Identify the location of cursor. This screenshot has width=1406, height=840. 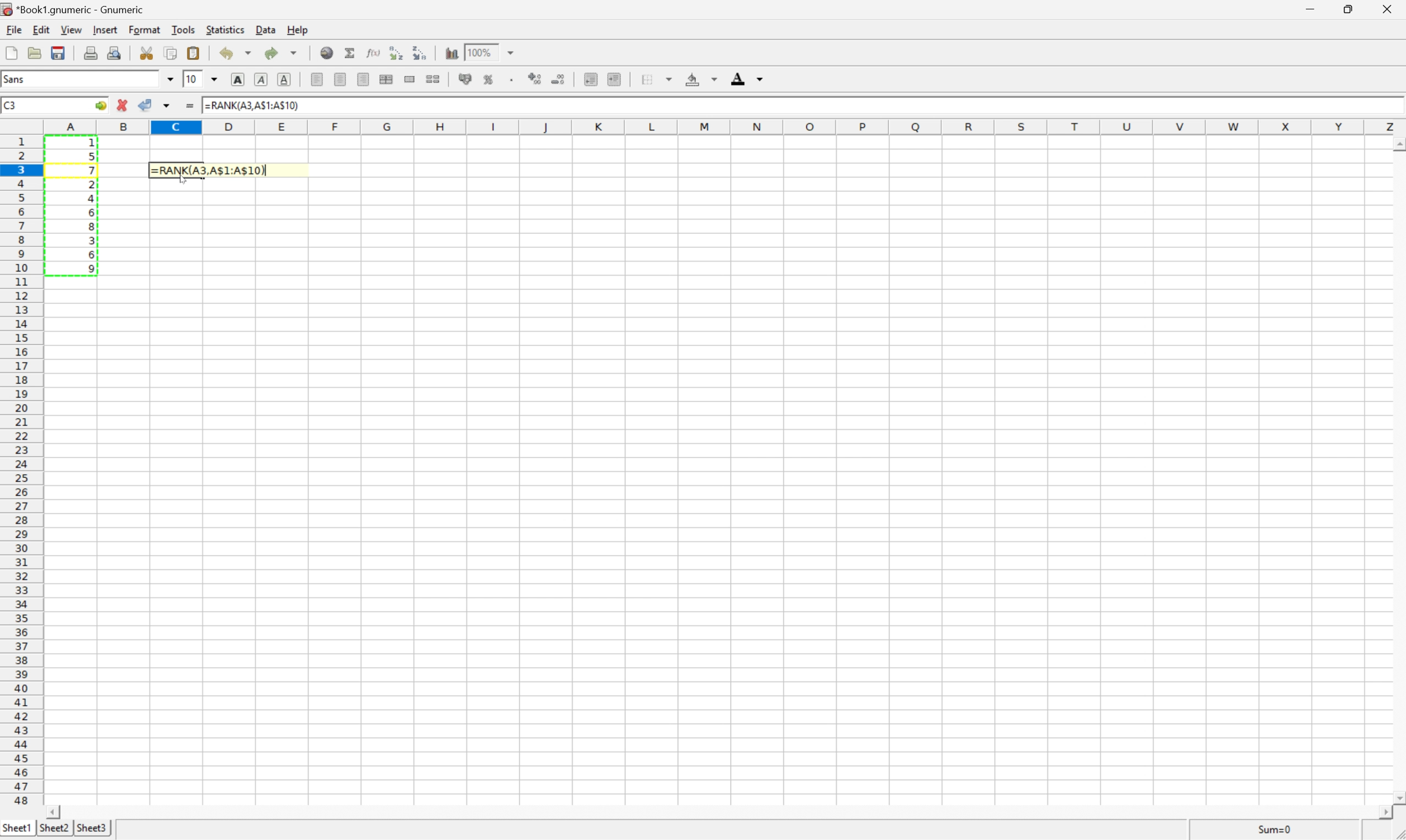
(185, 182).